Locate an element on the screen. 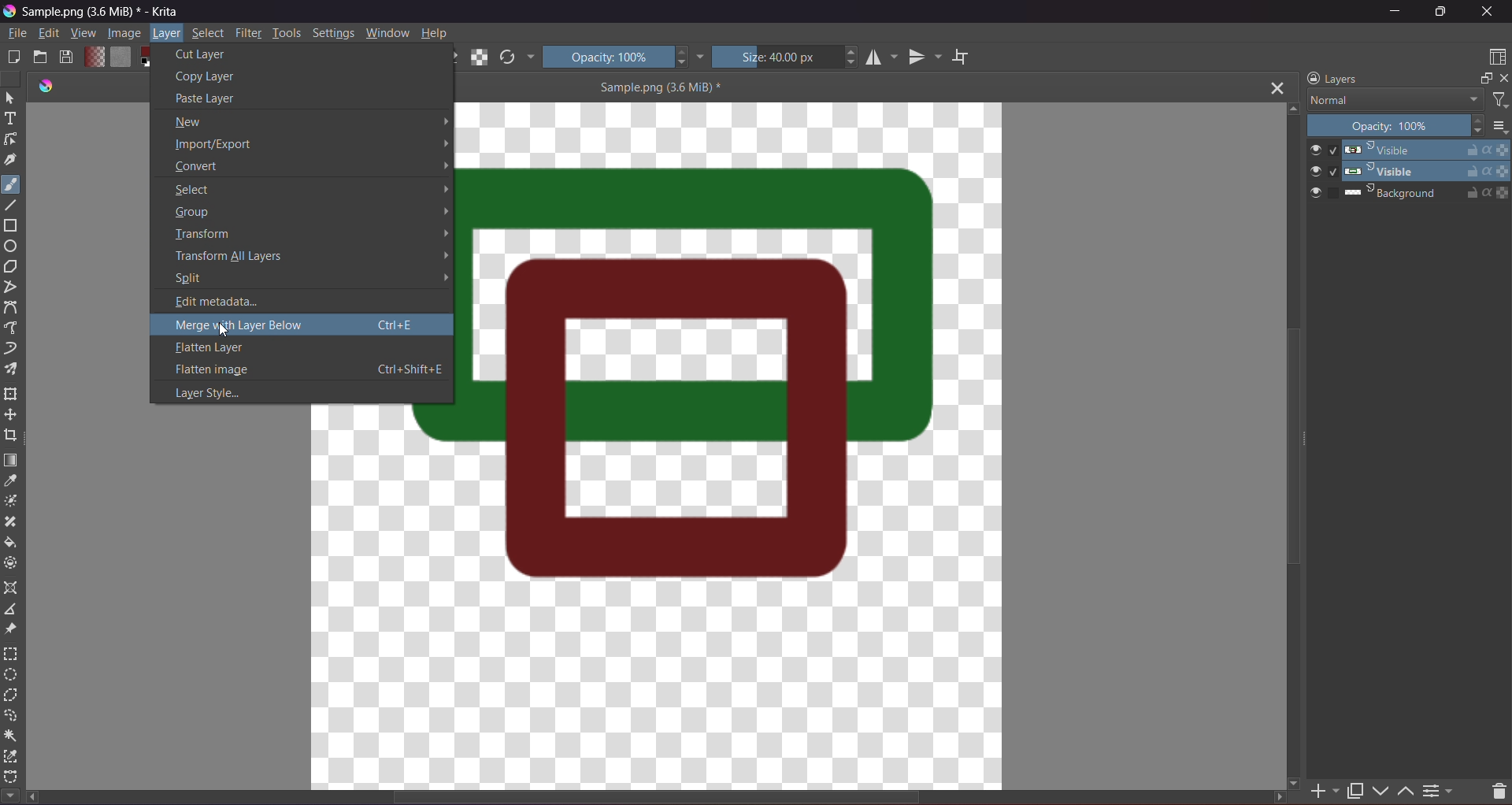  Opacity is located at coordinates (1397, 127).